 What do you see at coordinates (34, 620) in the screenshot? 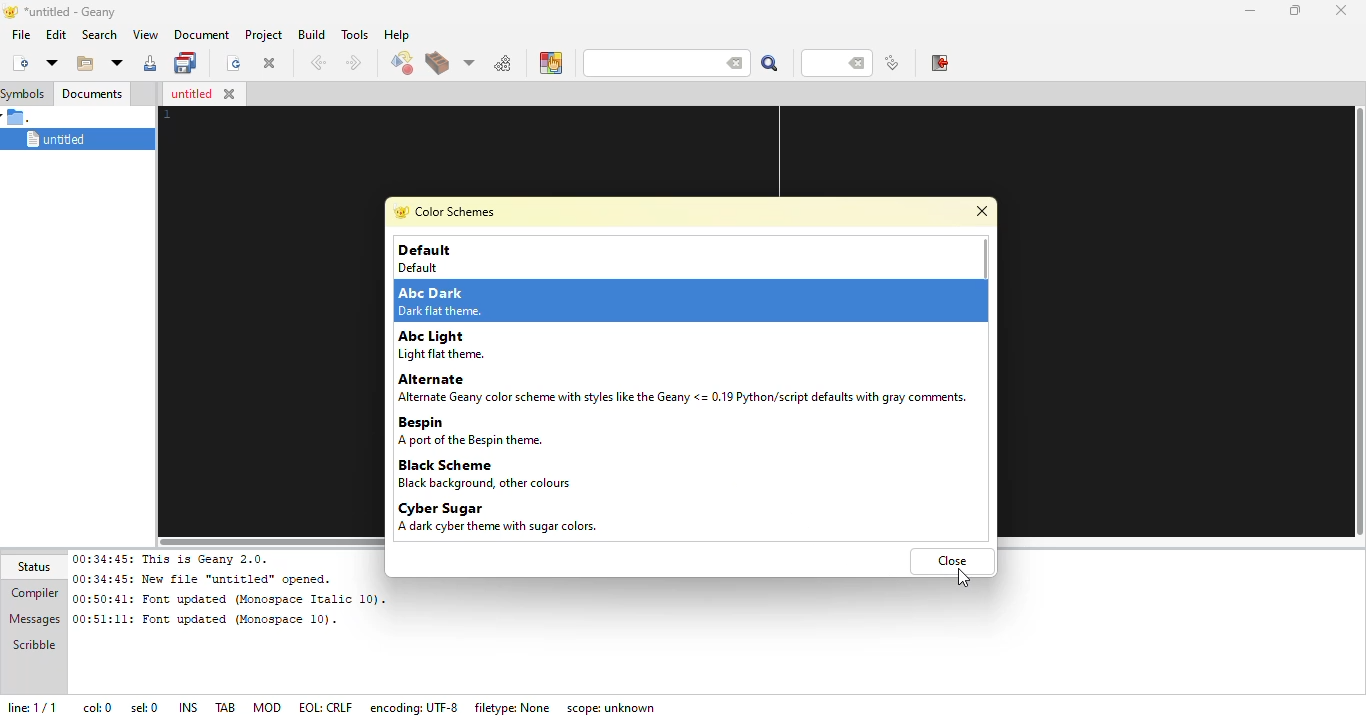
I see `messages` at bounding box center [34, 620].